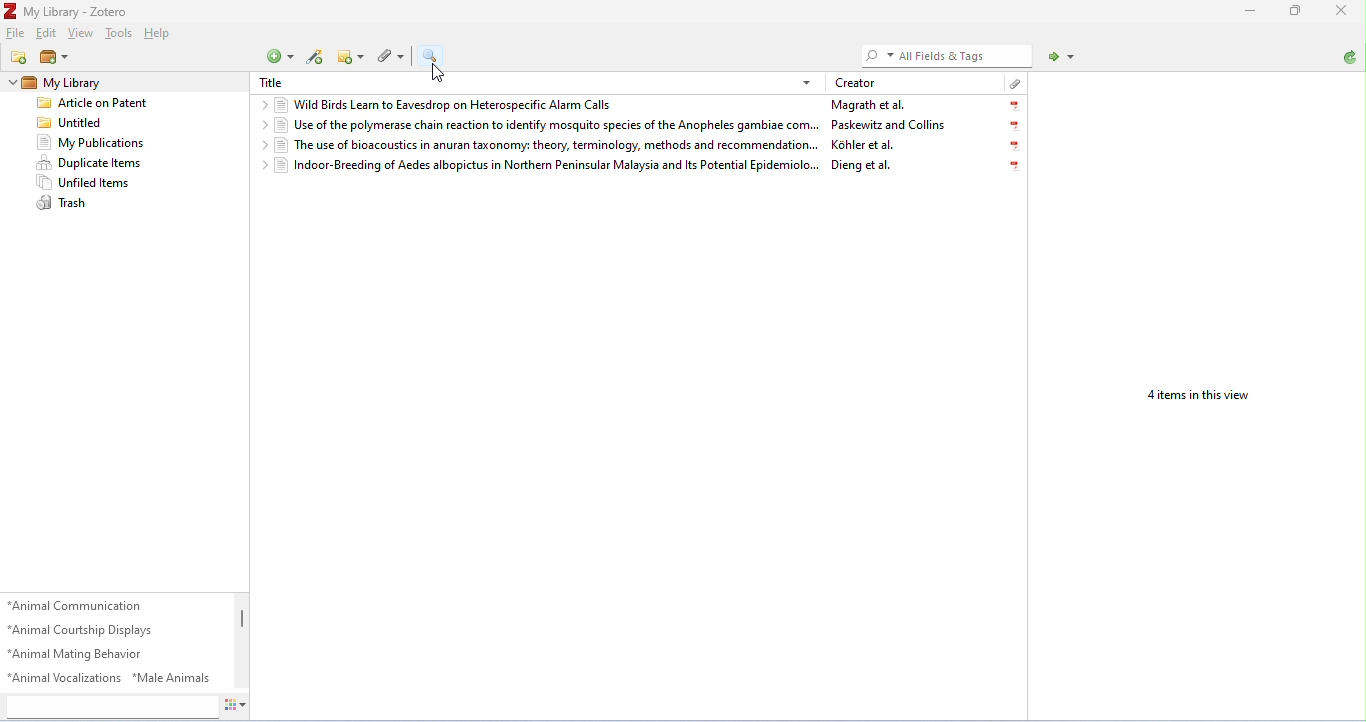 Image resolution: width=1366 pixels, height=722 pixels. Describe the element at coordinates (20, 57) in the screenshot. I see `new collection` at that location.